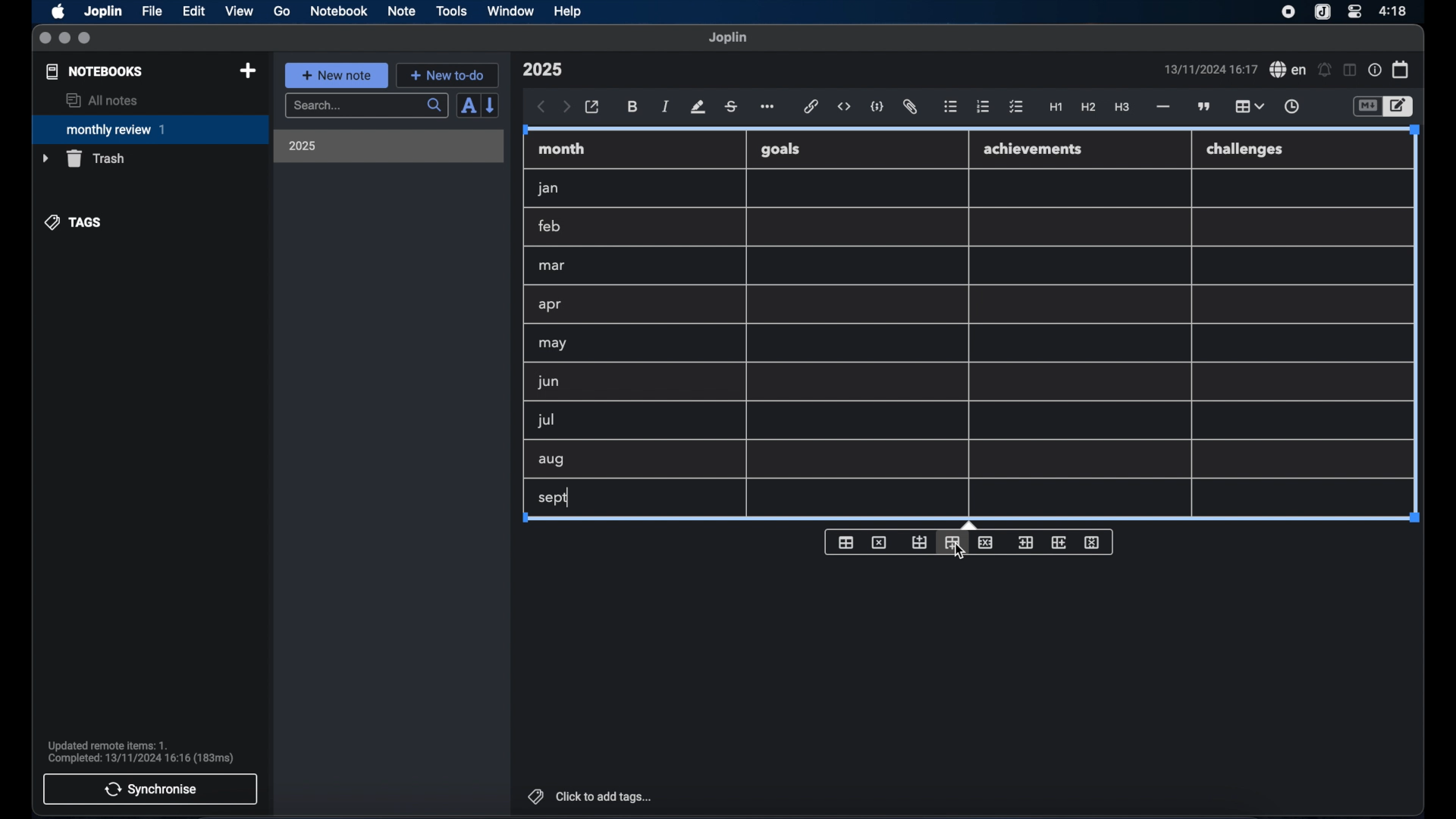  What do you see at coordinates (1210, 69) in the screenshot?
I see `date` at bounding box center [1210, 69].